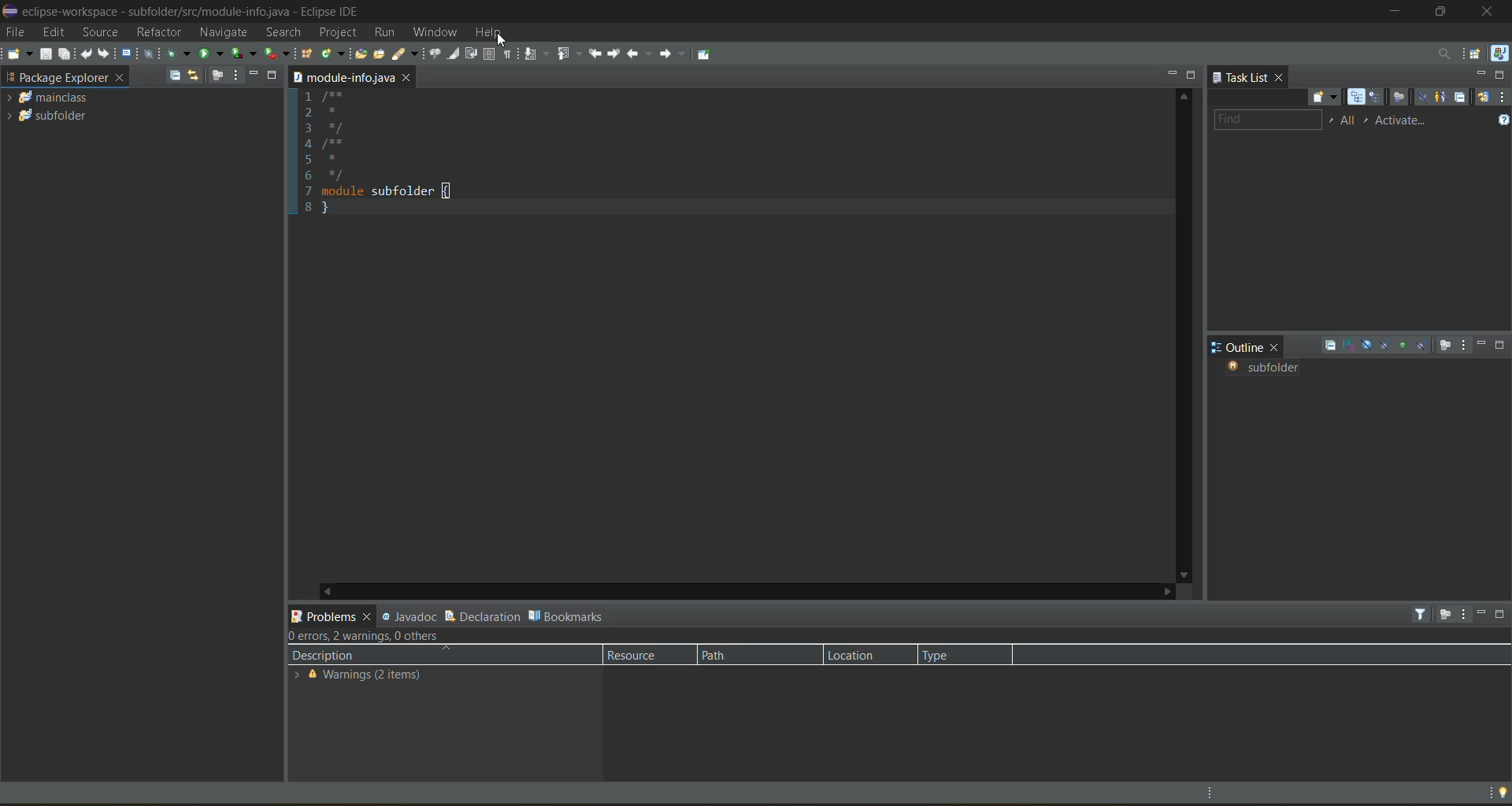  What do you see at coordinates (571, 54) in the screenshot?
I see `previous annotation` at bounding box center [571, 54].